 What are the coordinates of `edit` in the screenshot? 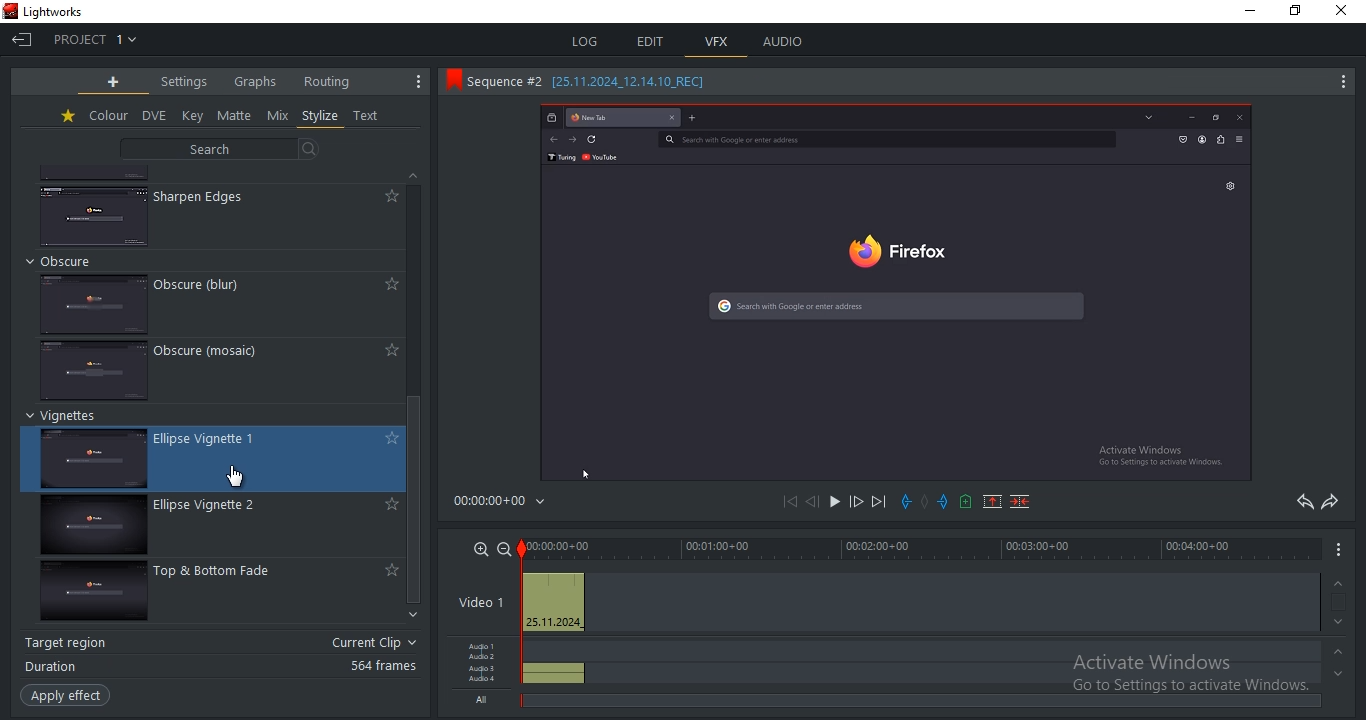 It's located at (653, 42).